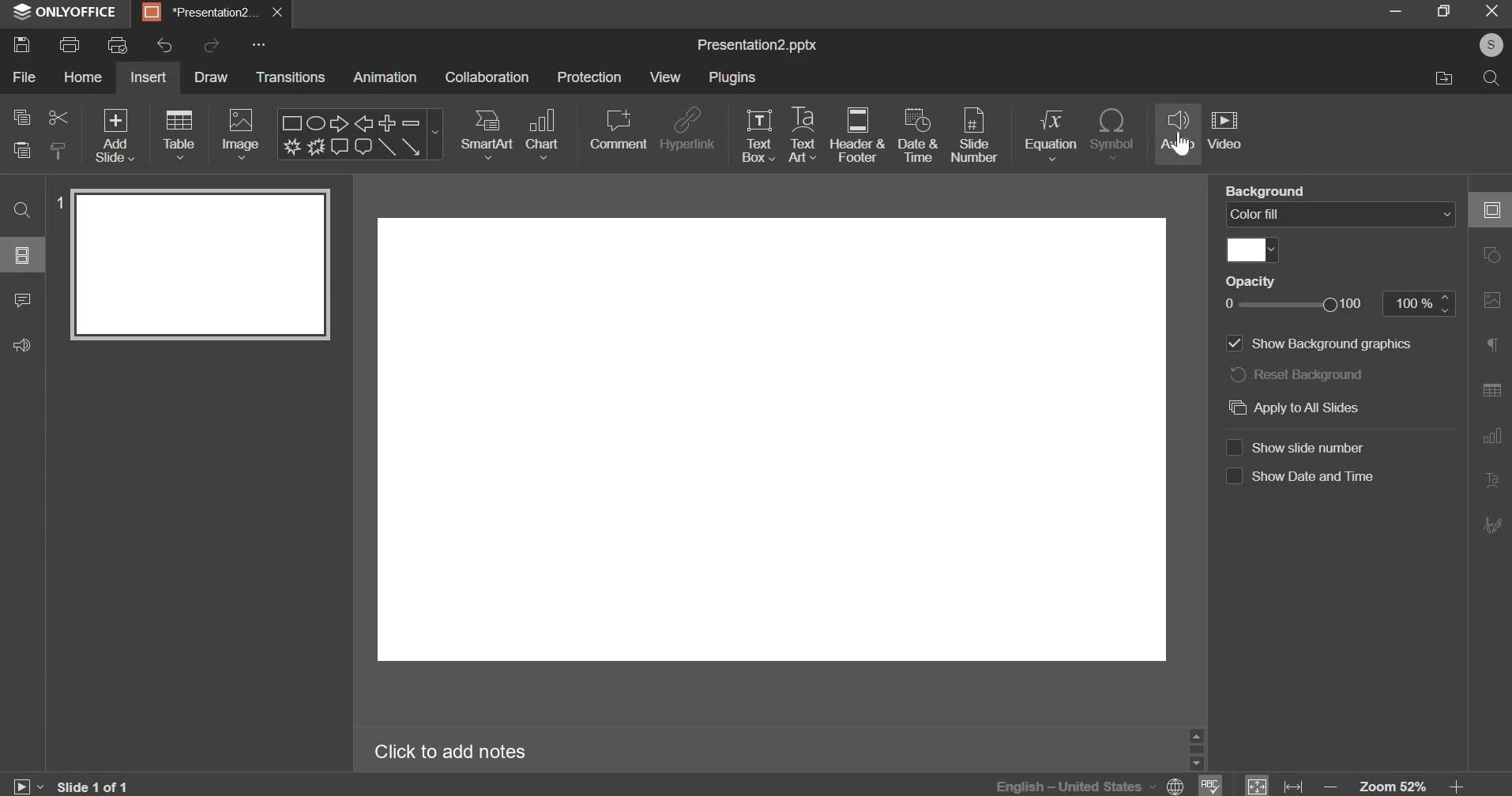 The width and height of the screenshot is (1512, 796). What do you see at coordinates (1409, 303) in the screenshot?
I see `100%` at bounding box center [1409, 303].